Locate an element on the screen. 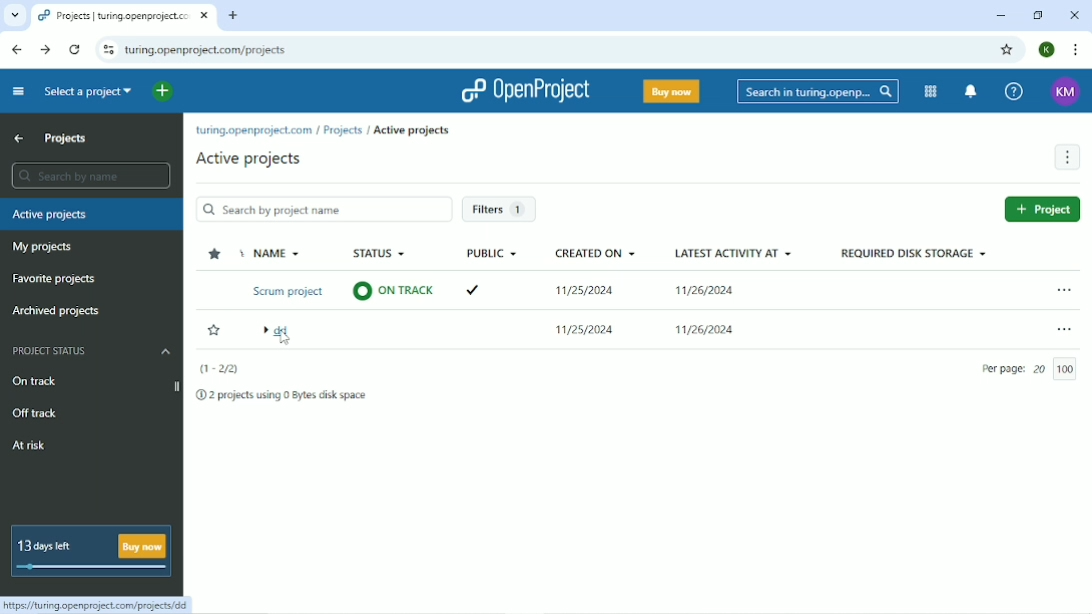 This screenshot has width=1092, height=614. 2 projects using 0 Bytes disk space is located at coordinates (283, 396).